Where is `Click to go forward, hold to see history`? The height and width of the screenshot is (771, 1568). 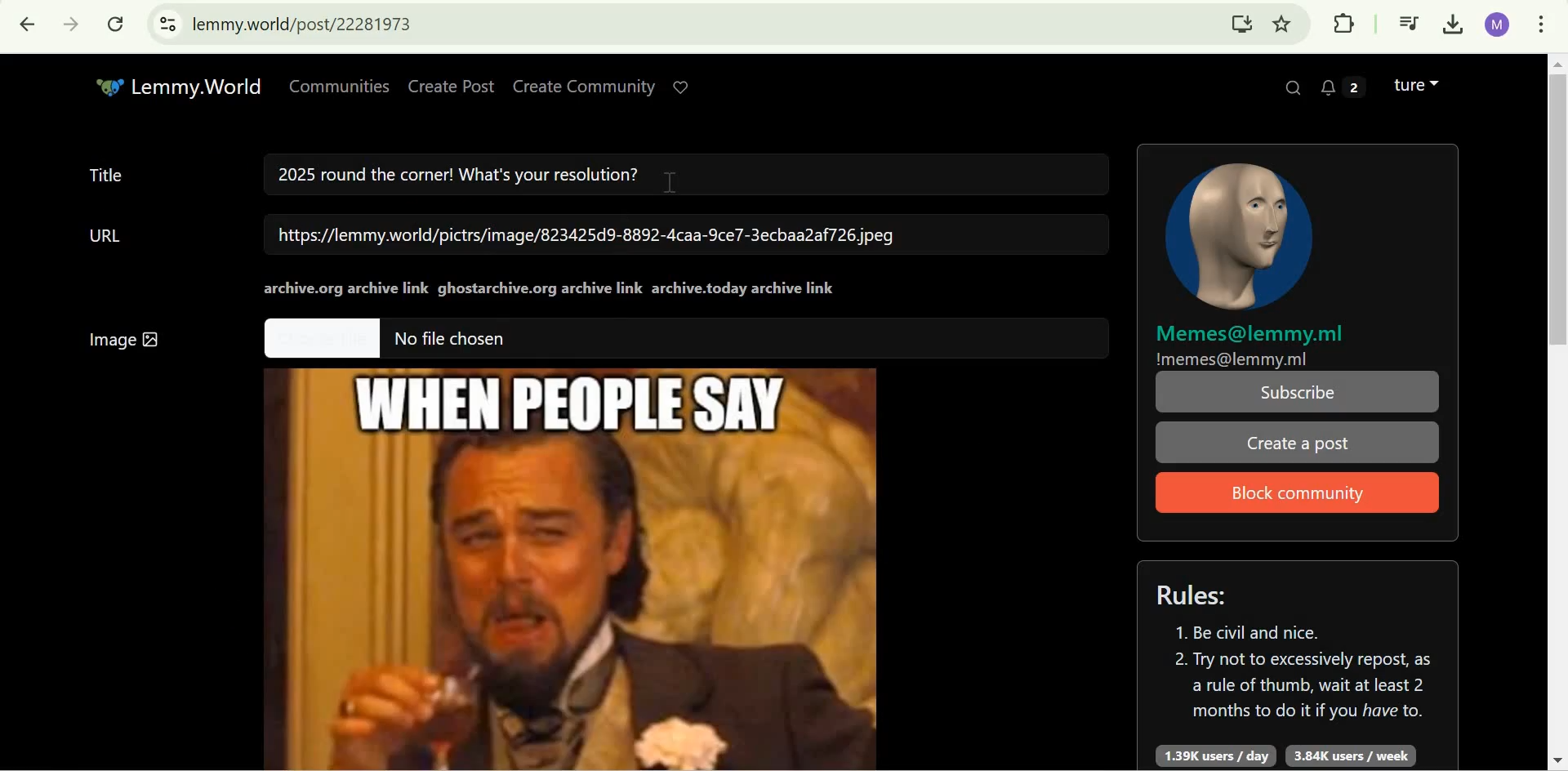
Click to go forward, hold to see history is located at coordinates (72, 25).